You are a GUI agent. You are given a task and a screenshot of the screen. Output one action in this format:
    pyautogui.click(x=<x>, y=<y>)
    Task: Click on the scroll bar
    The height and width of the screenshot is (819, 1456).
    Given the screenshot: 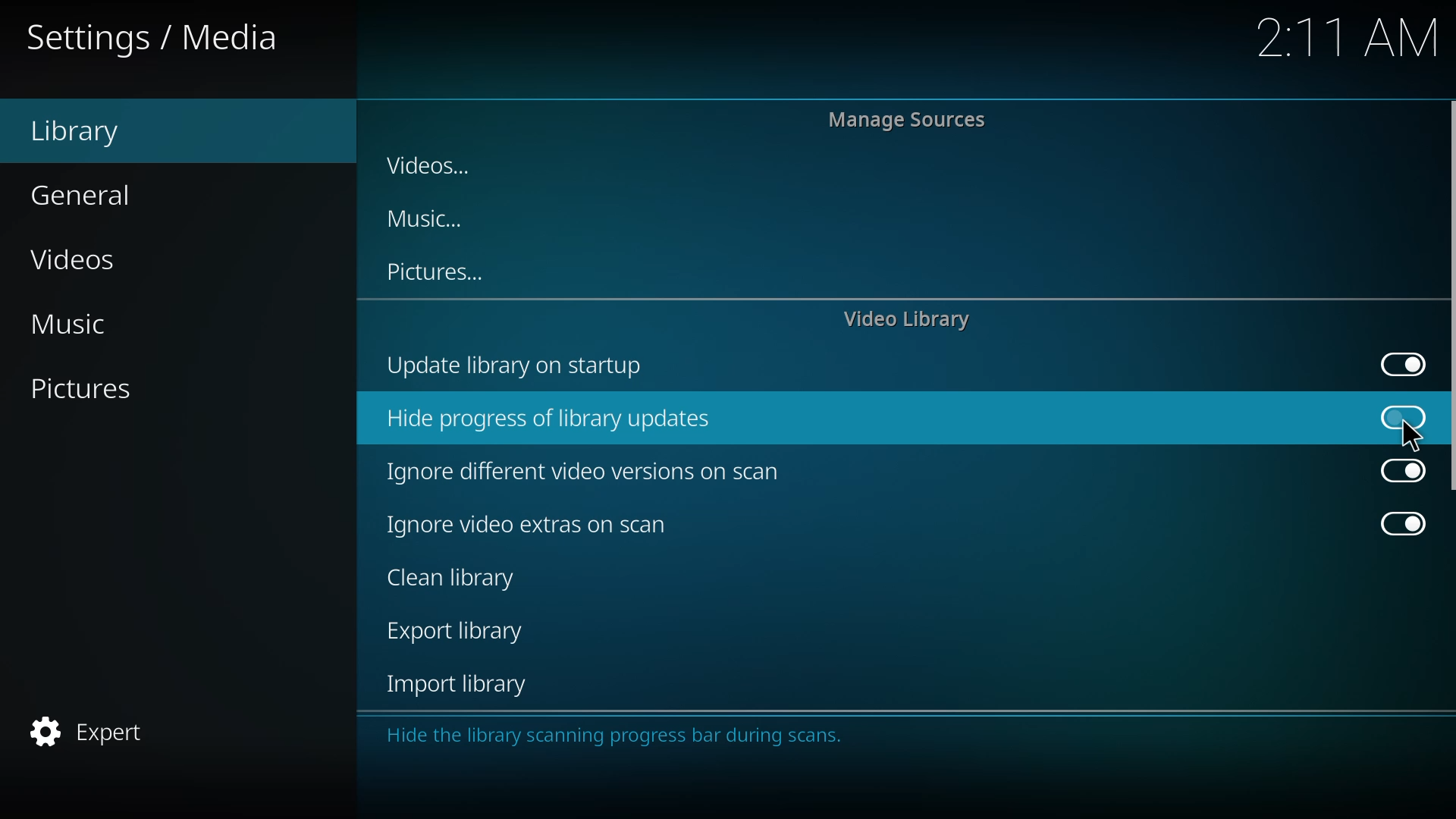 What is the action you would take?
    pyautogui.click(x=1452, y=298)
    